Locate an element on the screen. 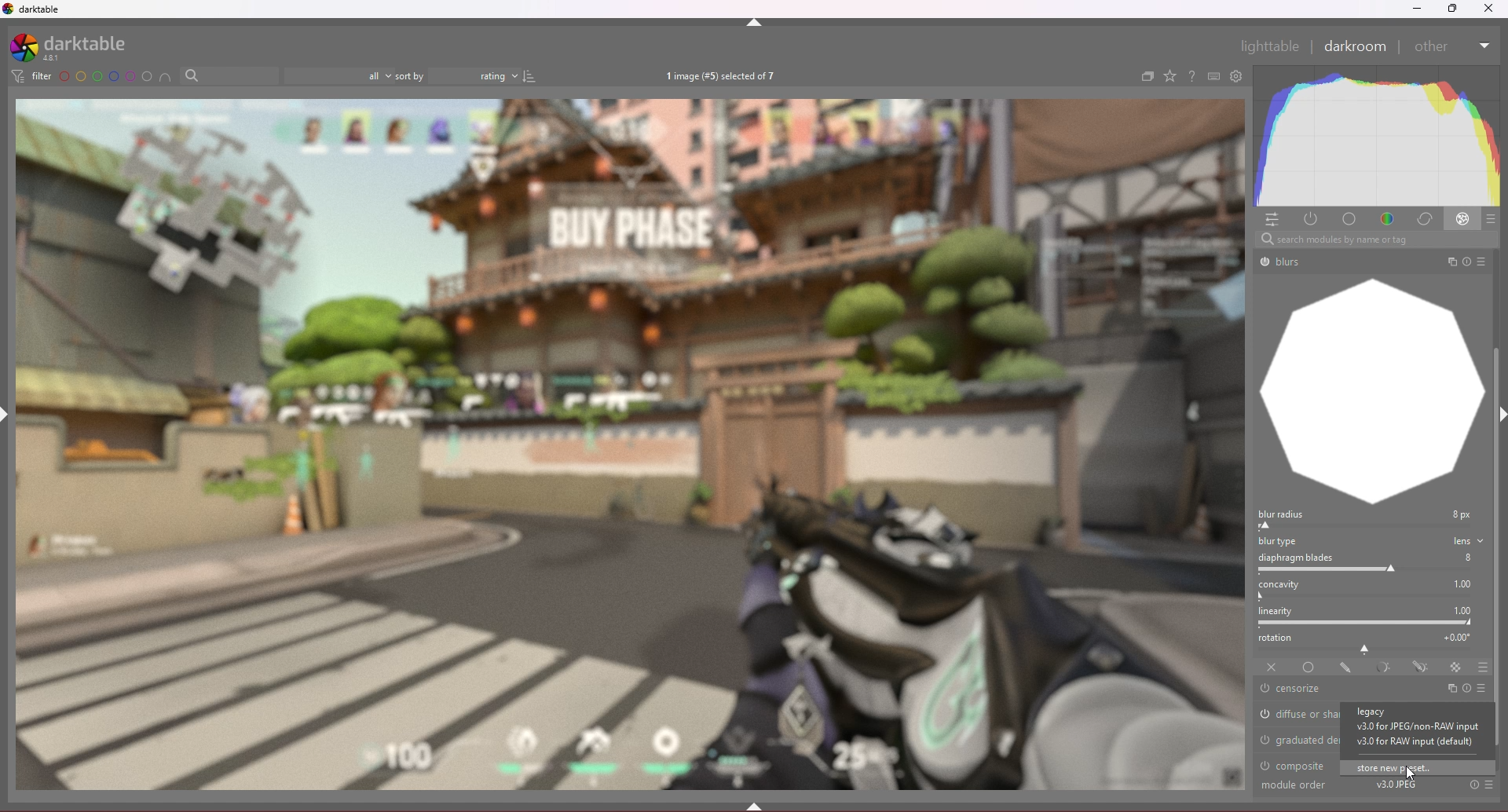 Image resolution: width=1508 pixels, height=812 pixels. hide is located at coordinates (755, 23).